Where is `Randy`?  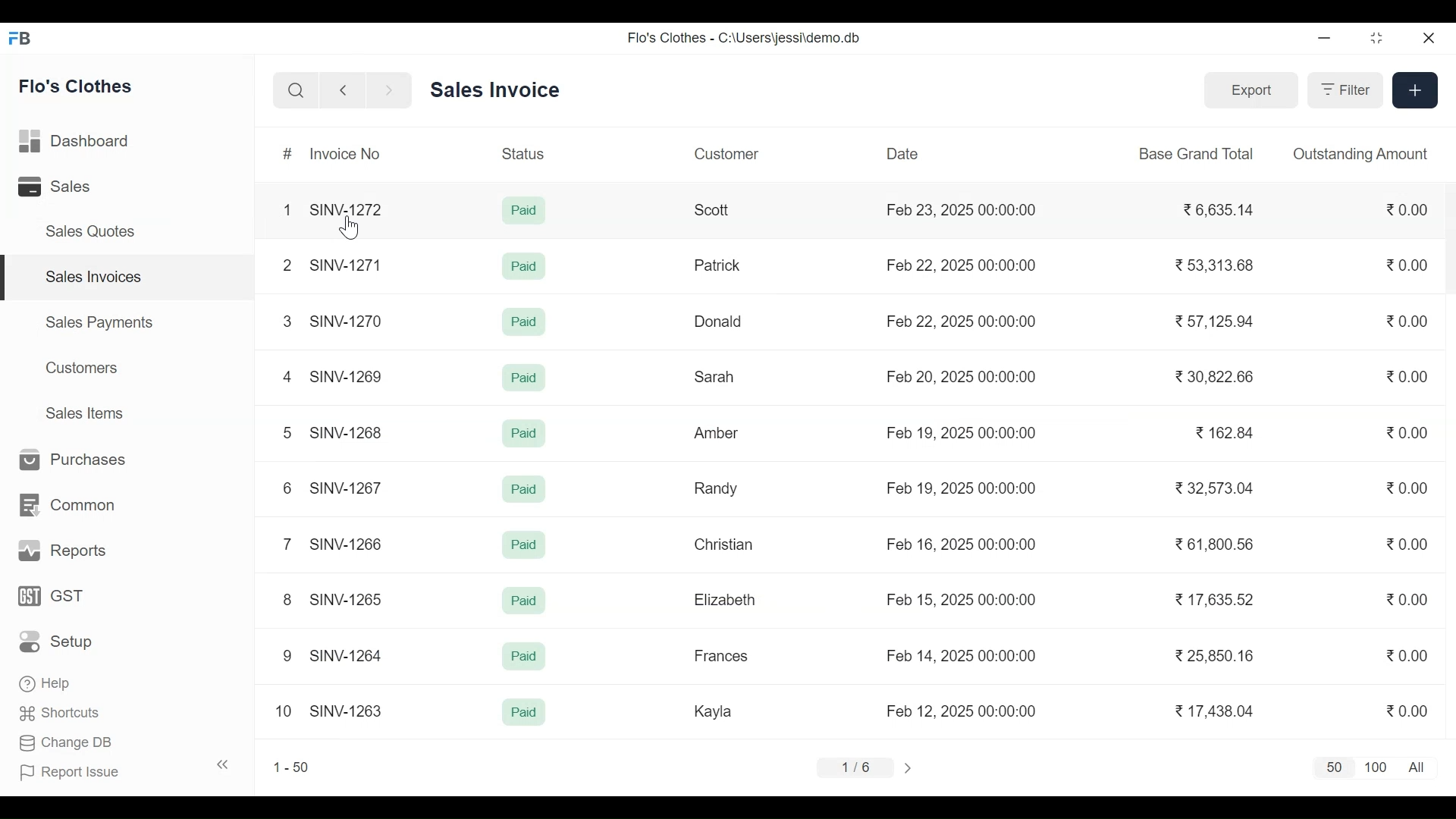
Randy is located at coordinates (714, 488).